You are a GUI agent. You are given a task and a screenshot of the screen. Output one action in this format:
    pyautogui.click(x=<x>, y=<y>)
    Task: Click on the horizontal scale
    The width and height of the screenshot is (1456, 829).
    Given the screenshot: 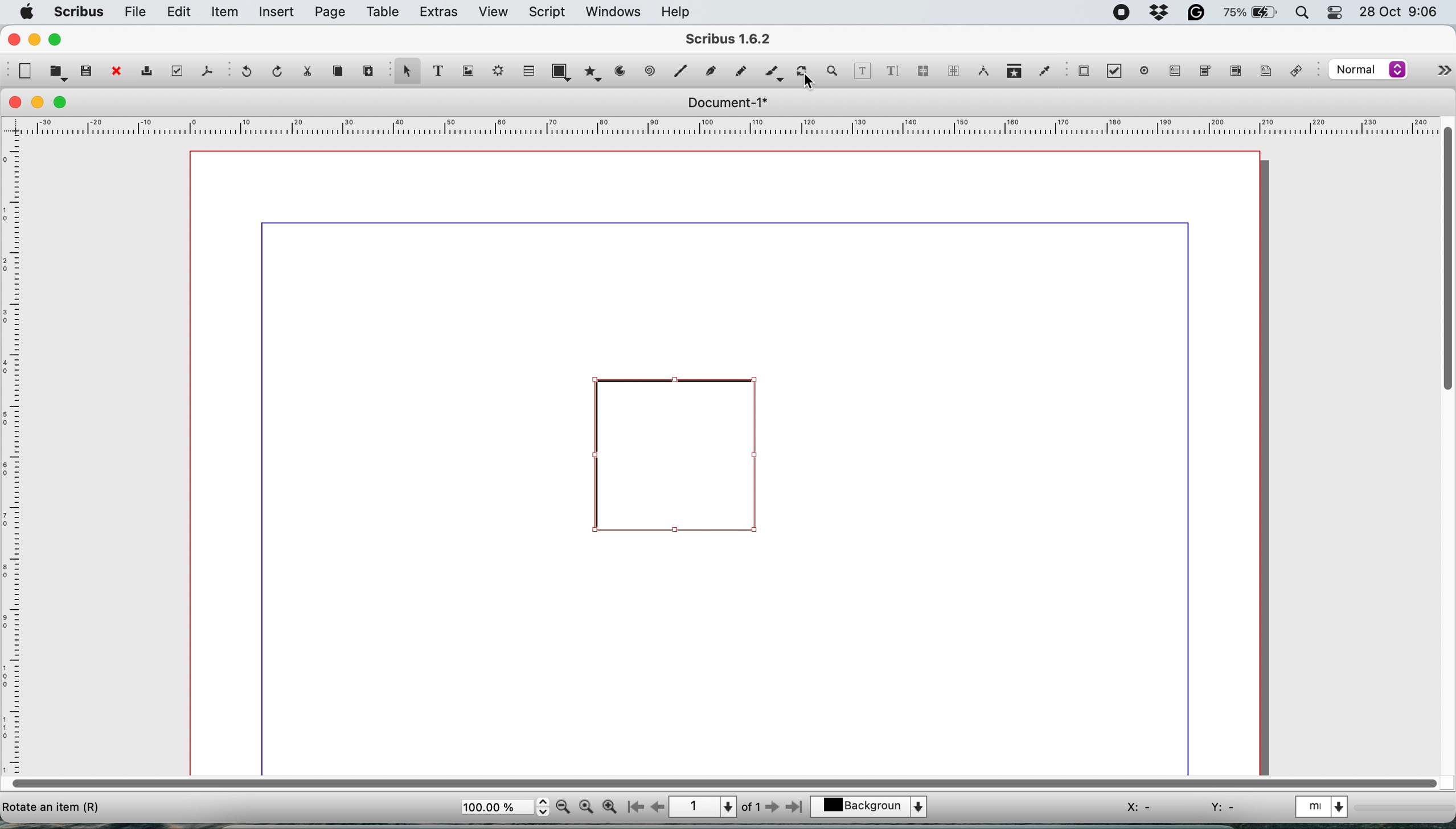 What is the action you would take?
    pyautogui.click(x=720, y=125)
    